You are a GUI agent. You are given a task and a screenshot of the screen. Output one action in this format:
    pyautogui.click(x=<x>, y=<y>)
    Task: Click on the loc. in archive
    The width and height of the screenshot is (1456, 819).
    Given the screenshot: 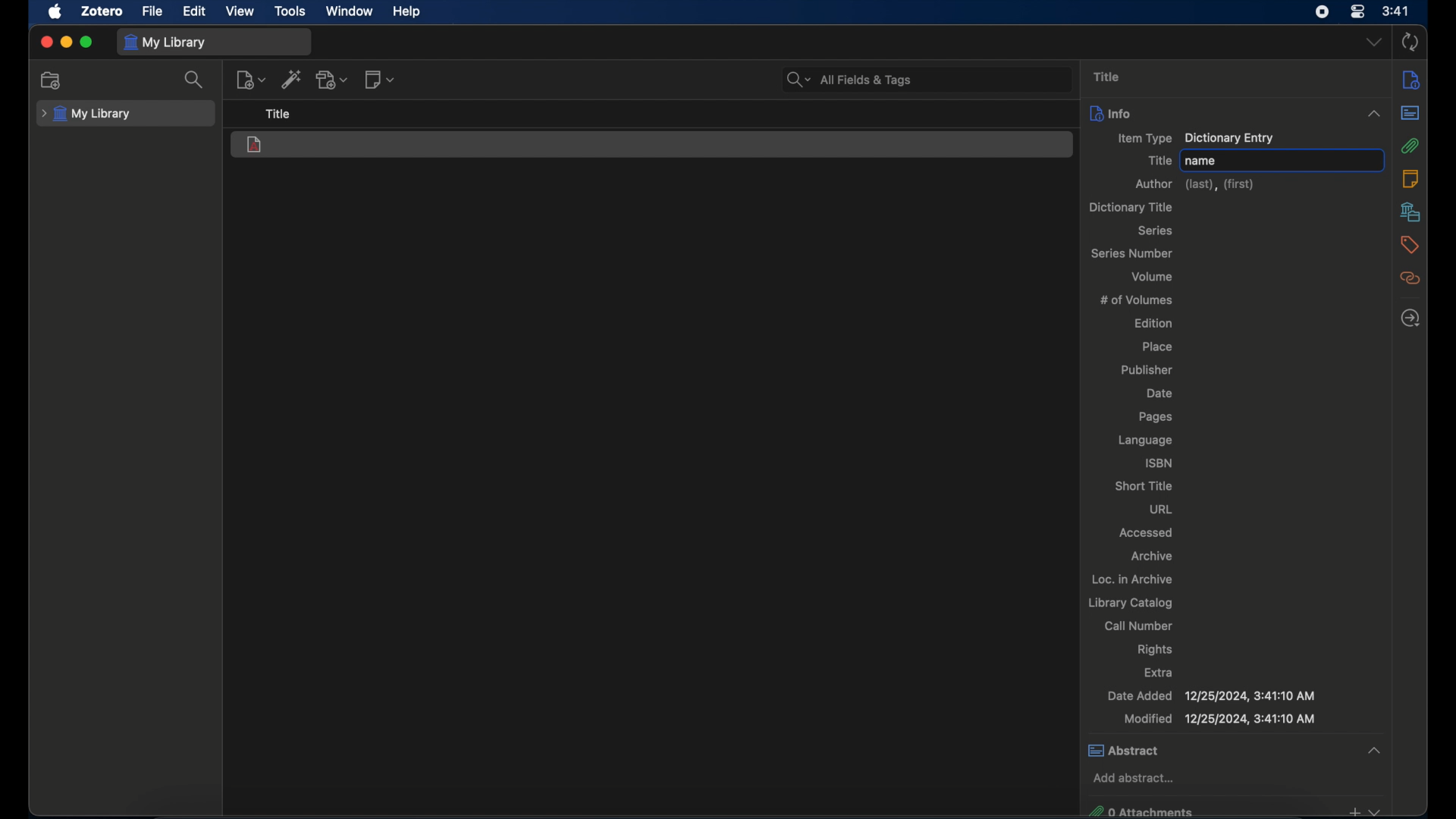 What is the action you would take?
    pyautogui.click(x=1132, y=579)
    